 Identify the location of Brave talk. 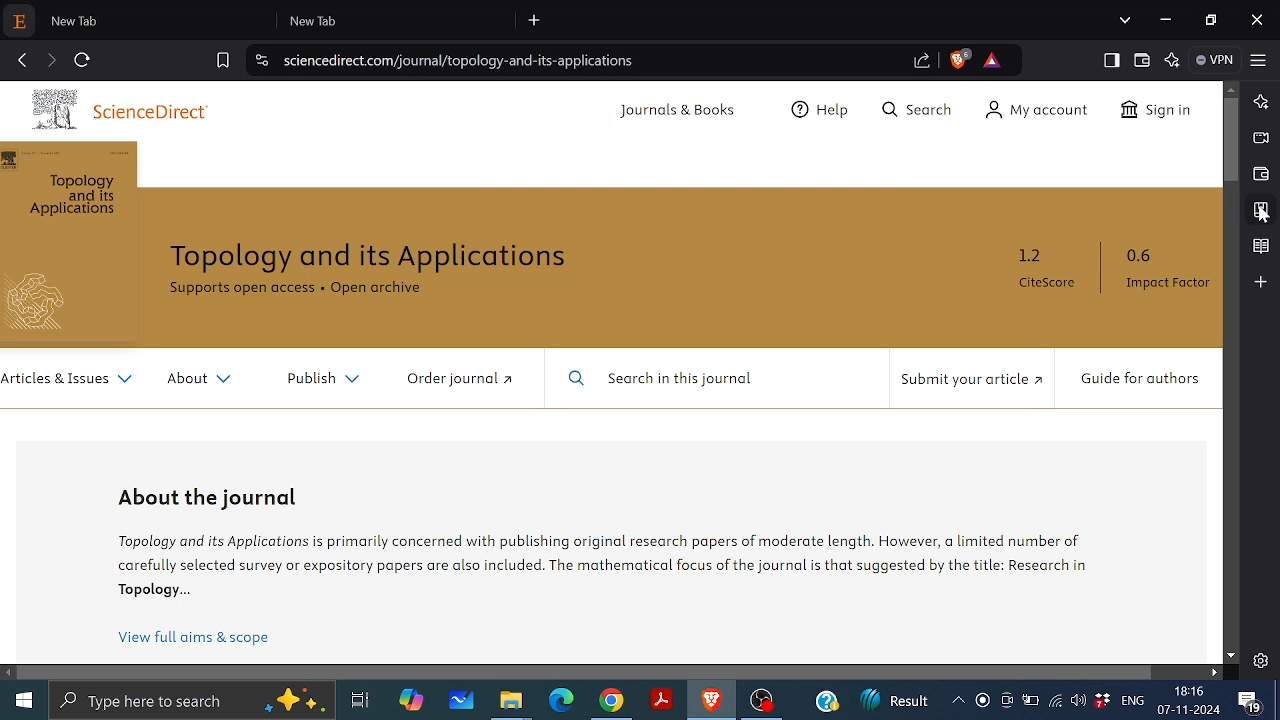
(1259, 137).